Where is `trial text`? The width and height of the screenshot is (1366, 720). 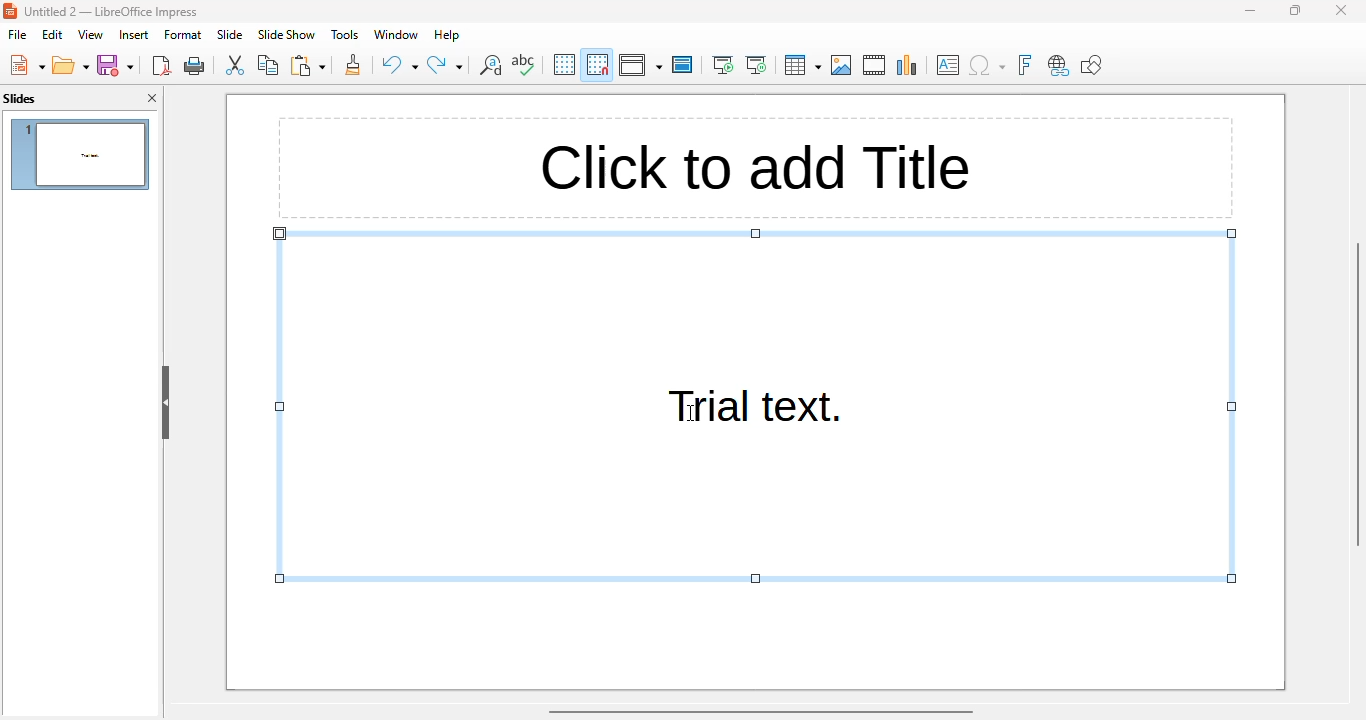 trial text is located at coordinates (757, 410).